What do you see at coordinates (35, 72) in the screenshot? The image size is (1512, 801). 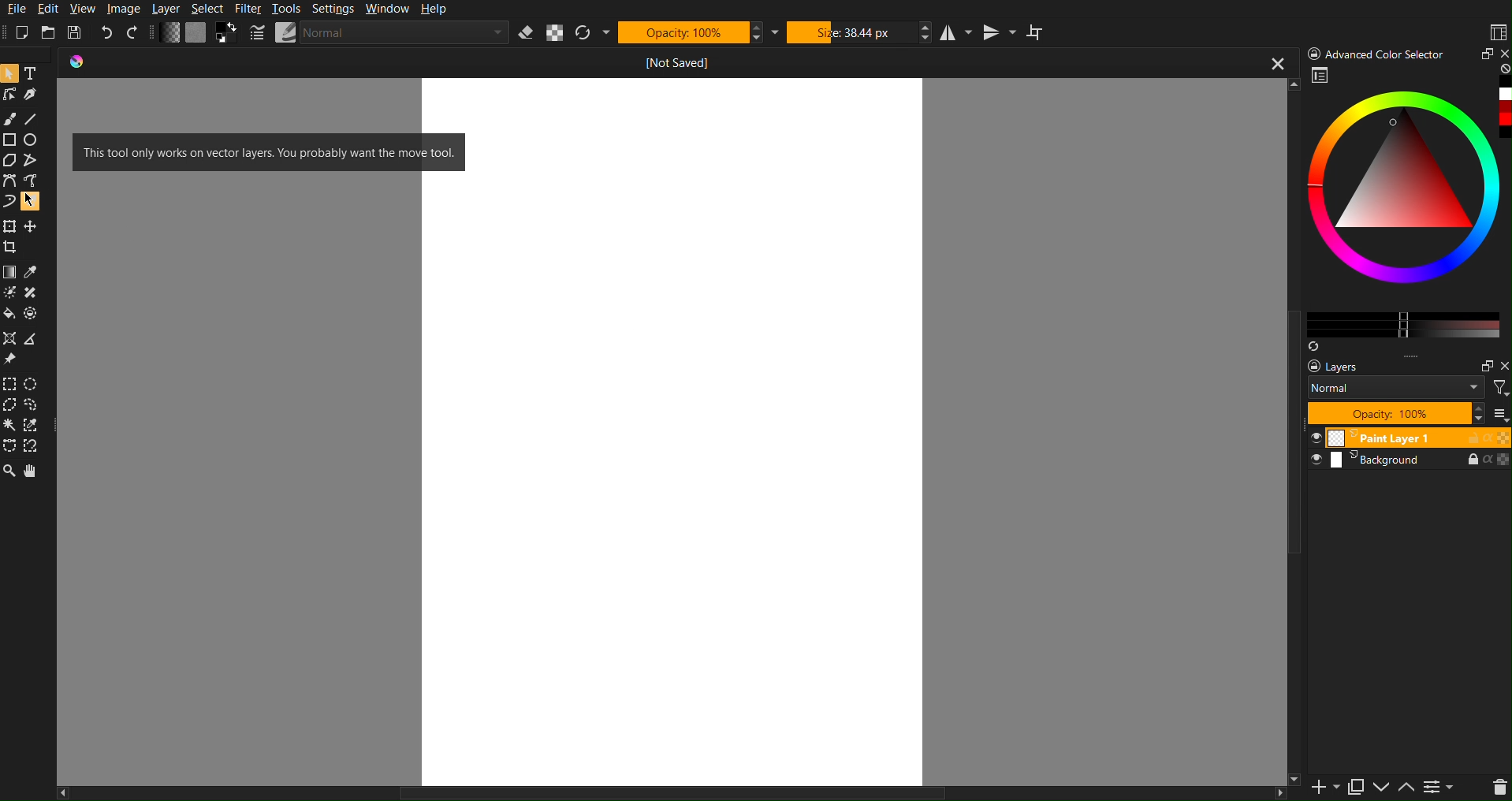 I see `Text` at bounding box center [35, 72].